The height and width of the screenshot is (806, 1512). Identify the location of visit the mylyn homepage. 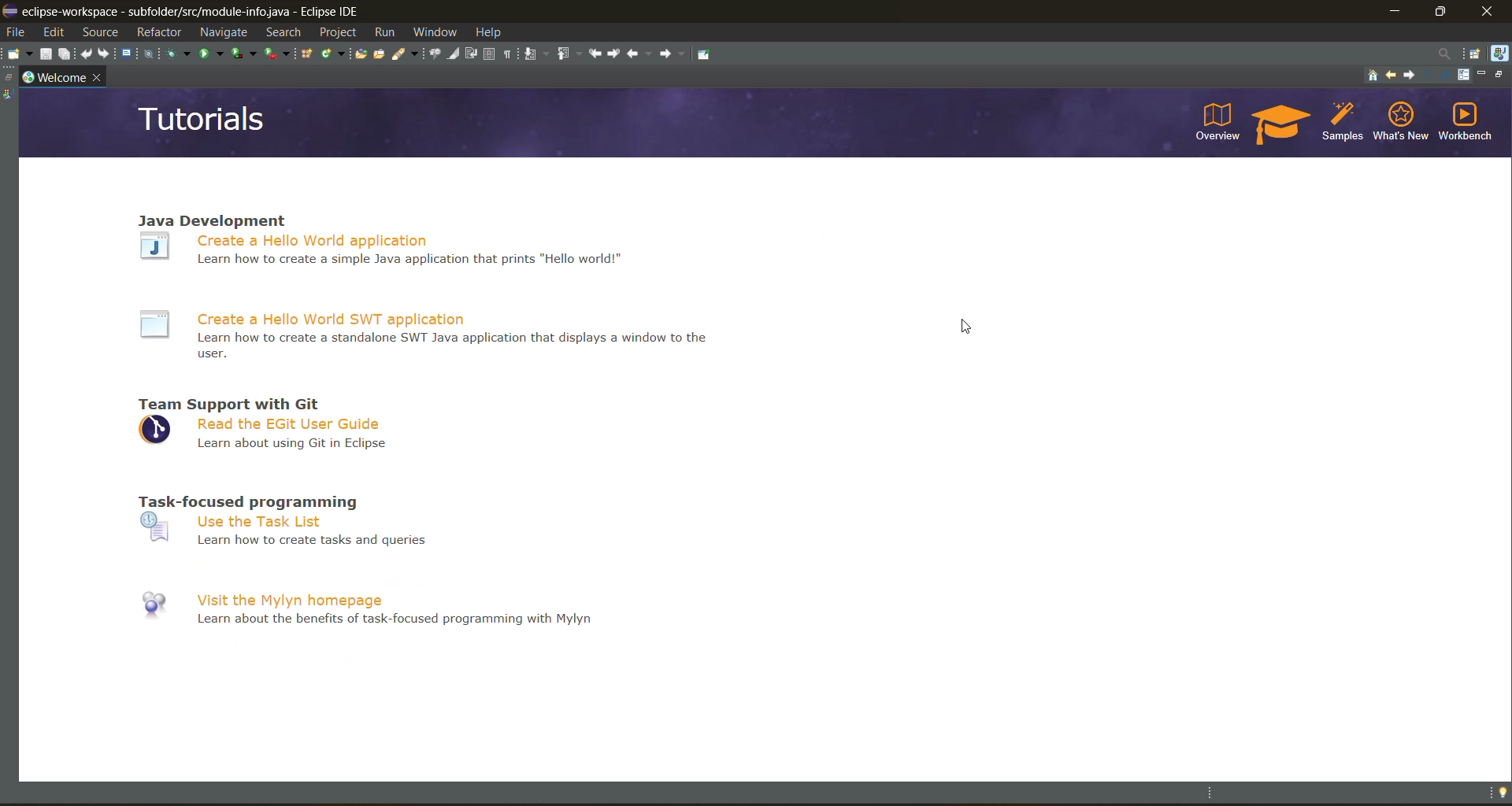
(364, 608).